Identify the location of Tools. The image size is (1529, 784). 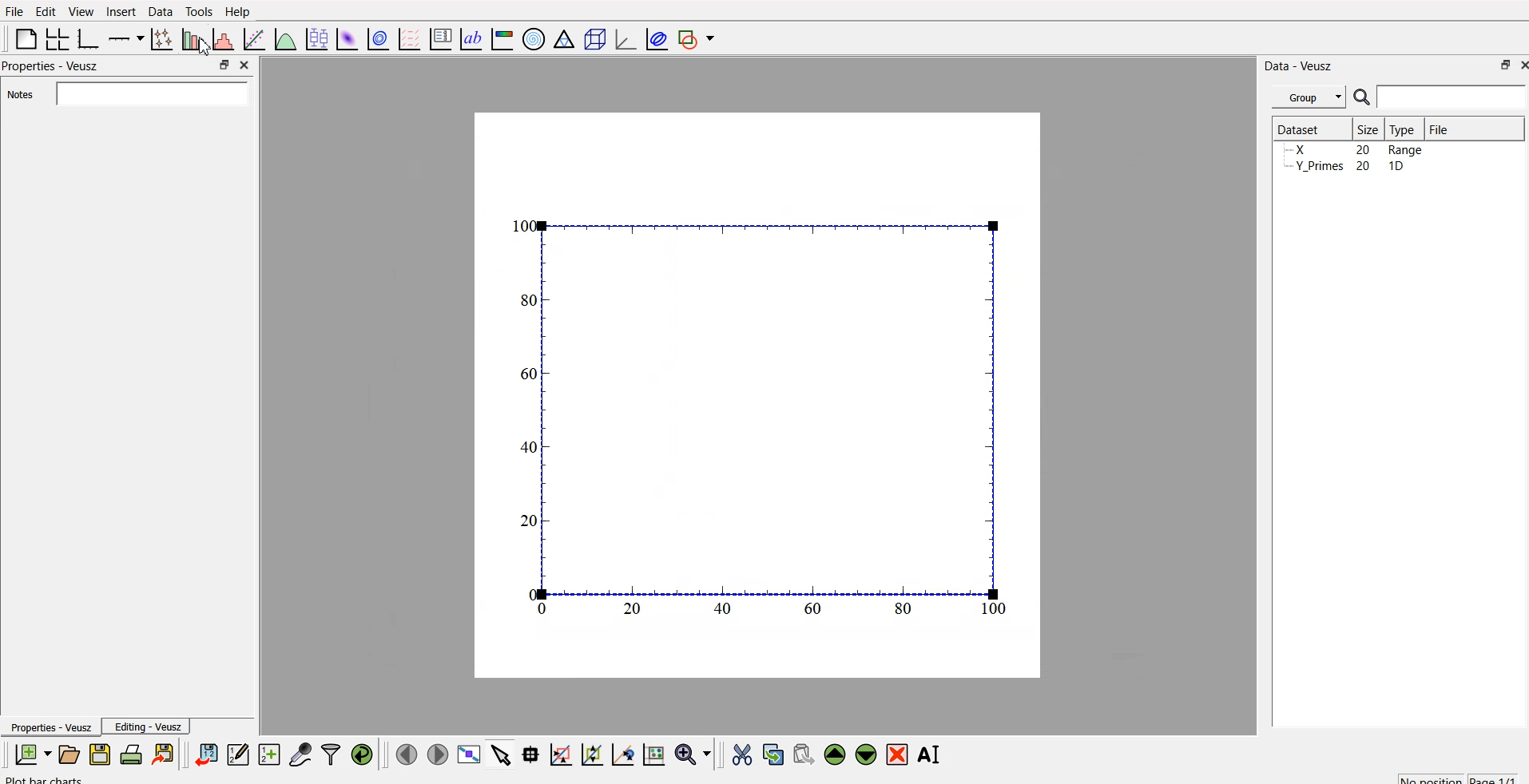
(198, 10).